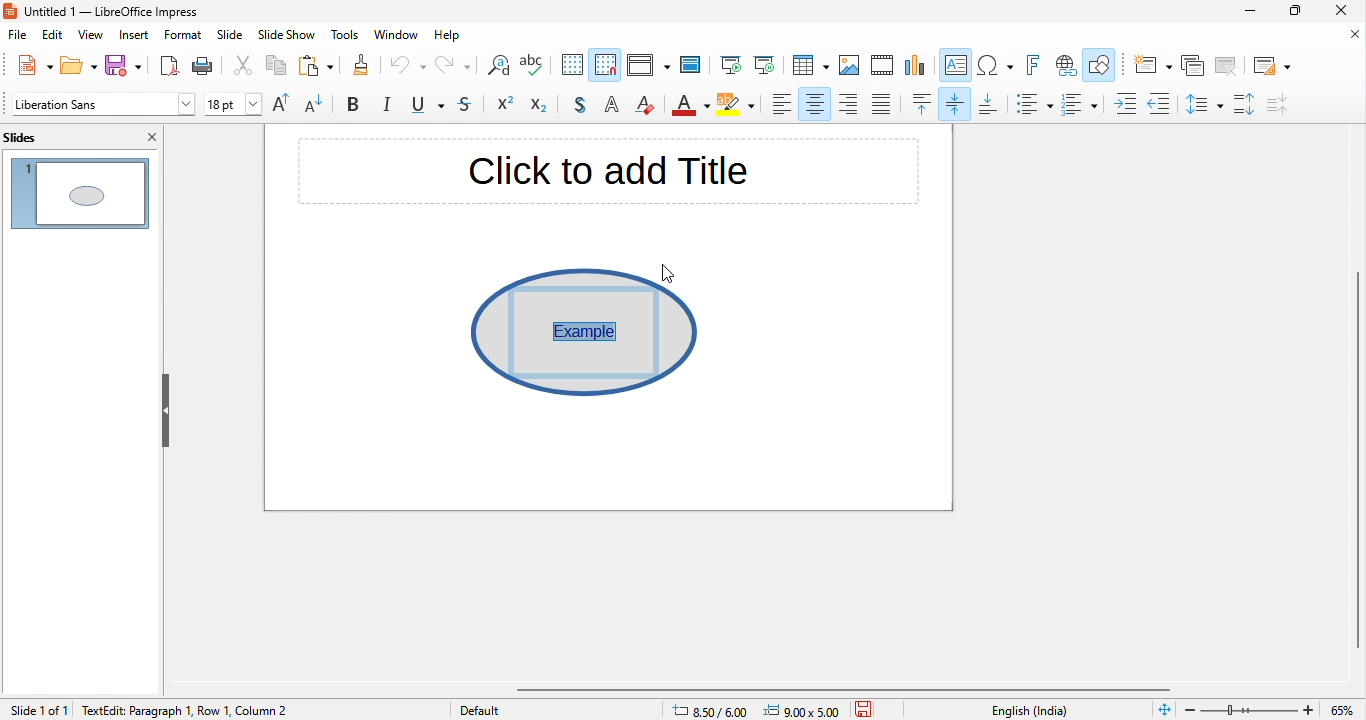  I want to click on file, so click(17, 37).